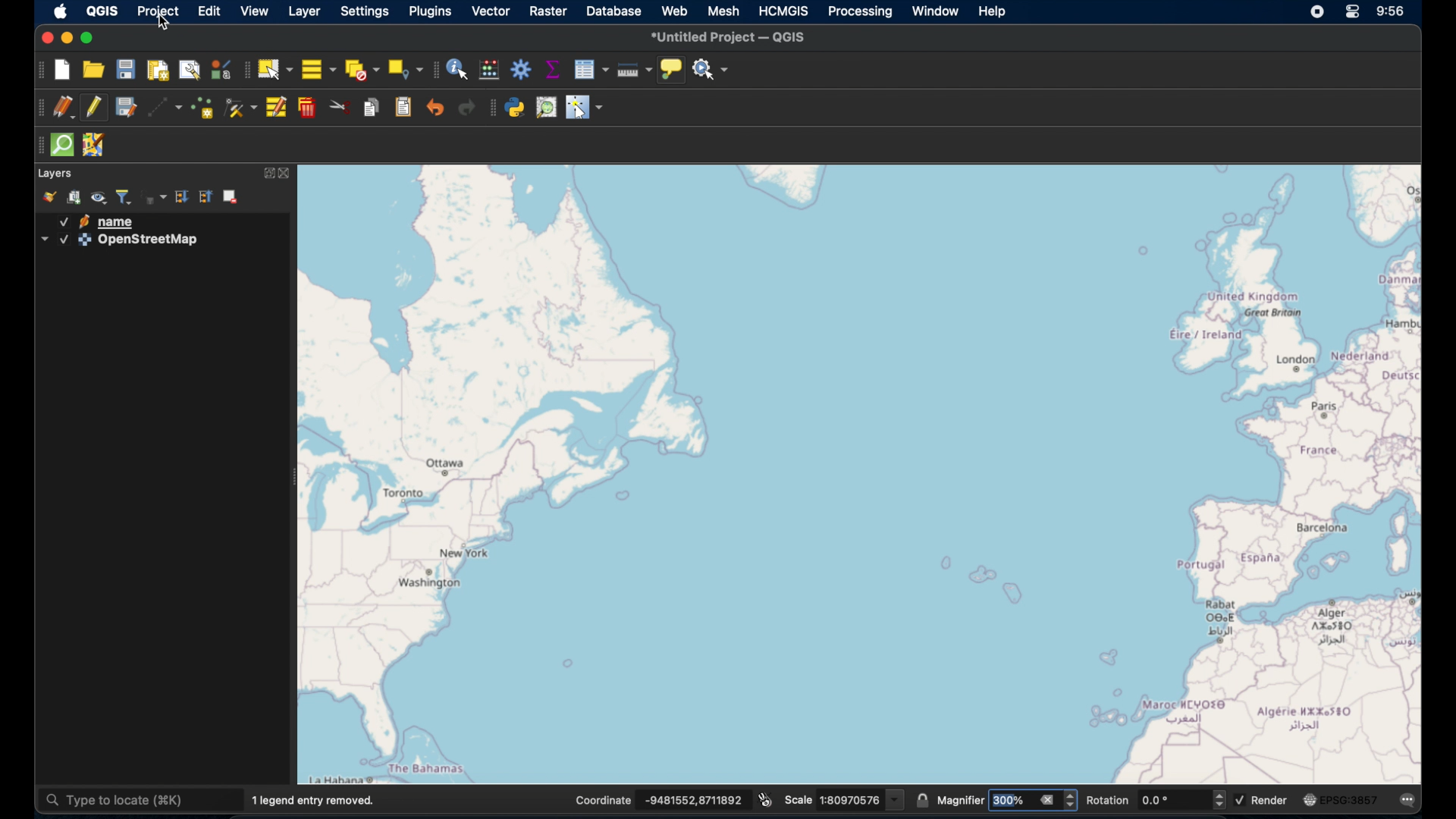 This screenshot has width=1456, height=819. What do you see at coordinates (304, 12) in the screenshot?
I see `layer` at bounding box center [304, 12].